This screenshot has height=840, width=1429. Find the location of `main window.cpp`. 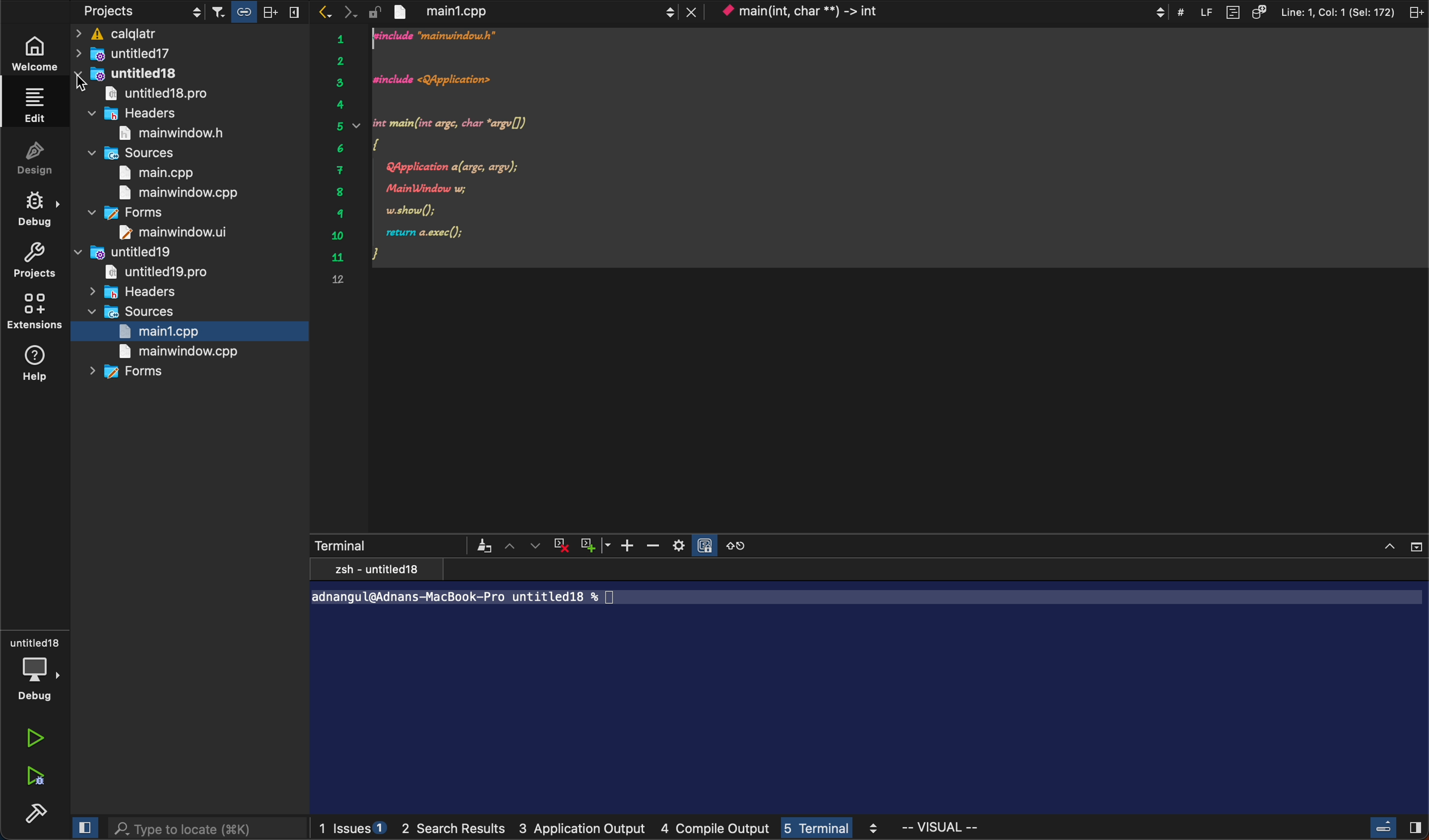

main window.cpp is located at coordinates (175, 351).